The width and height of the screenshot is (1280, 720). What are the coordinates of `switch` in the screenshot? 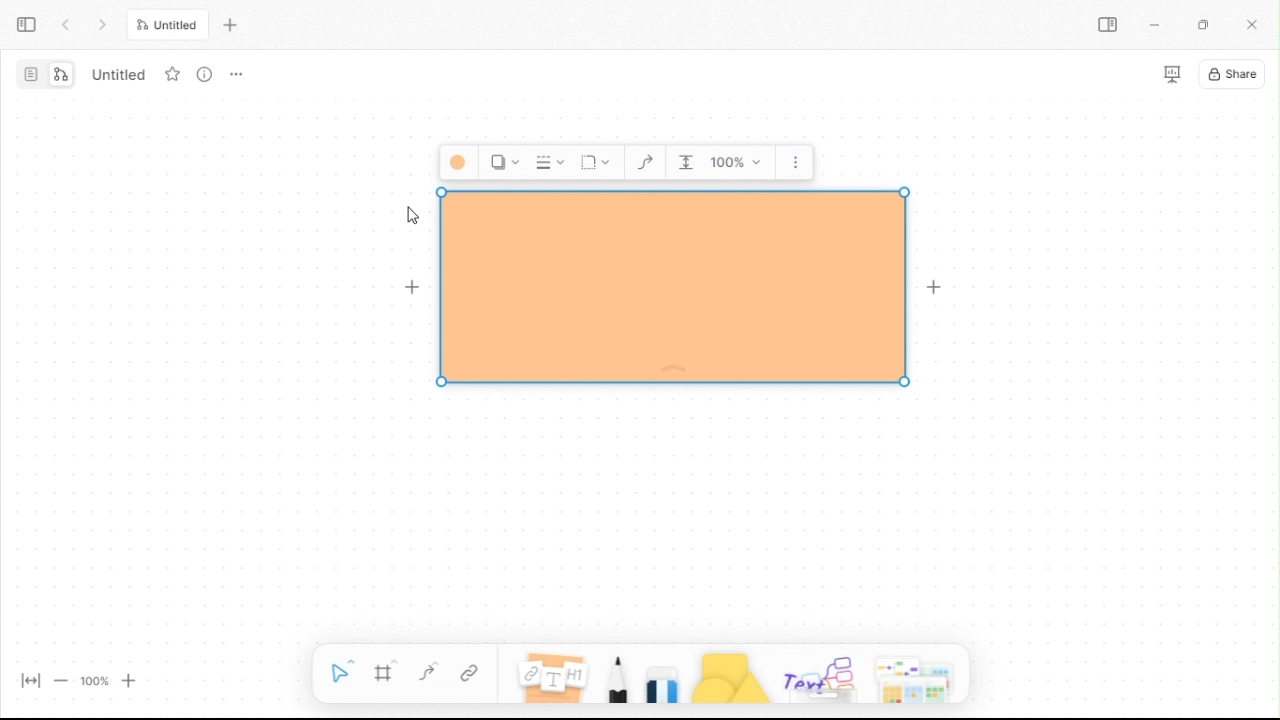 It's located at (46, 74).